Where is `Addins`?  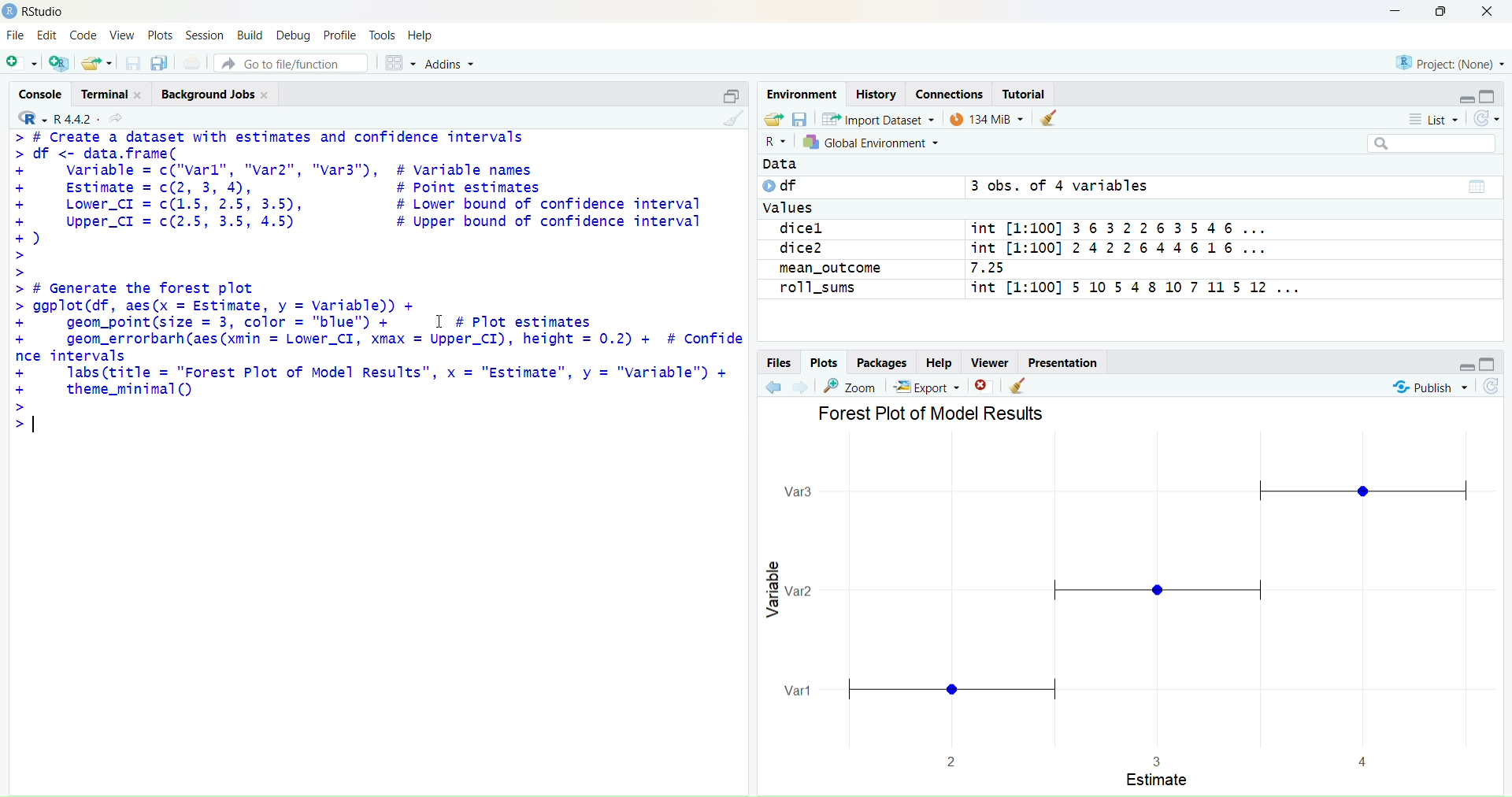
Addins is located at coordinates (449, 64).